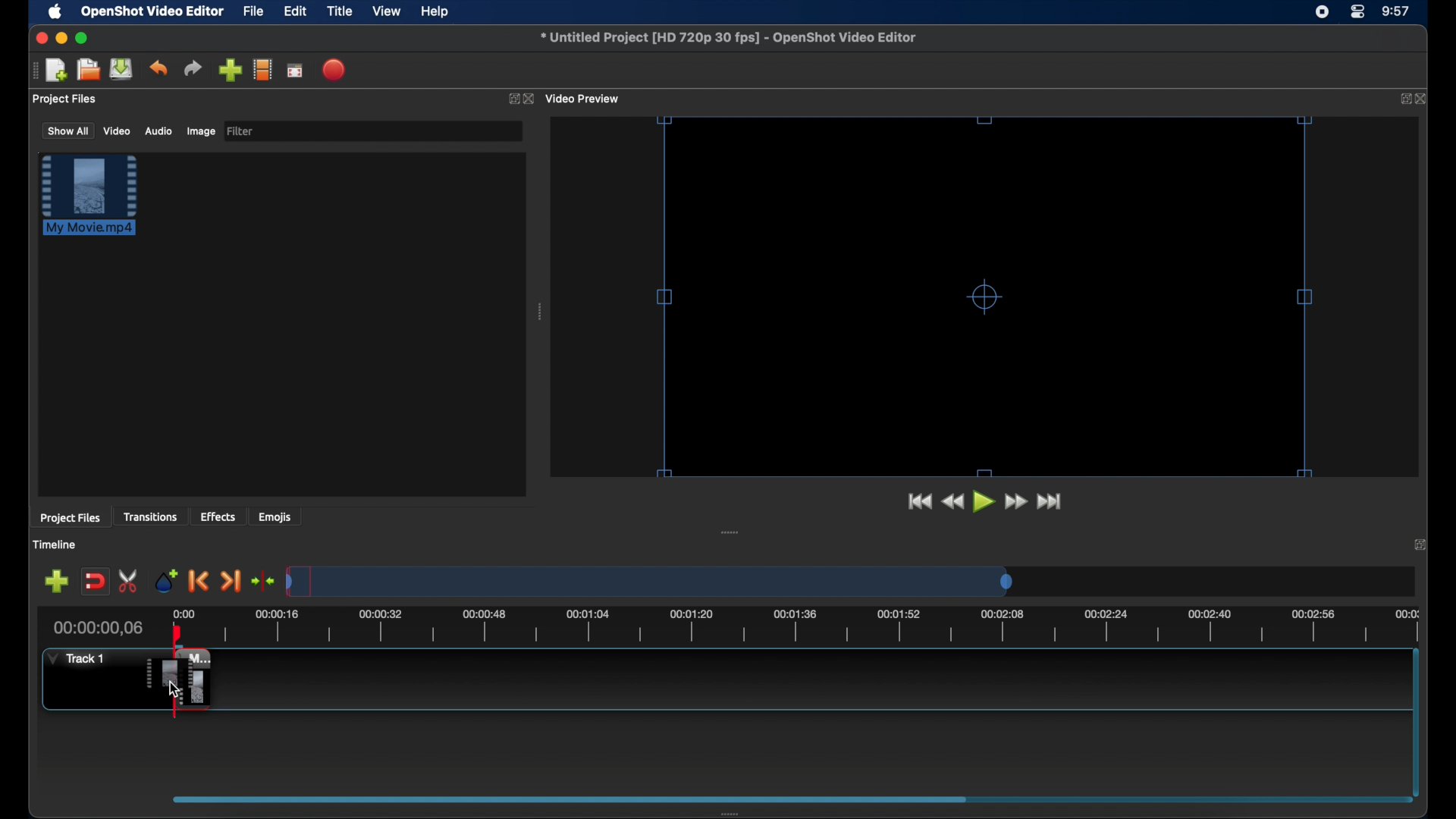 The height and width of the screenshot is (819, 1456). What do you see at coordinates (564, 799) in the screenshot?
I see `scroll box` at bounding box center [564, 799].